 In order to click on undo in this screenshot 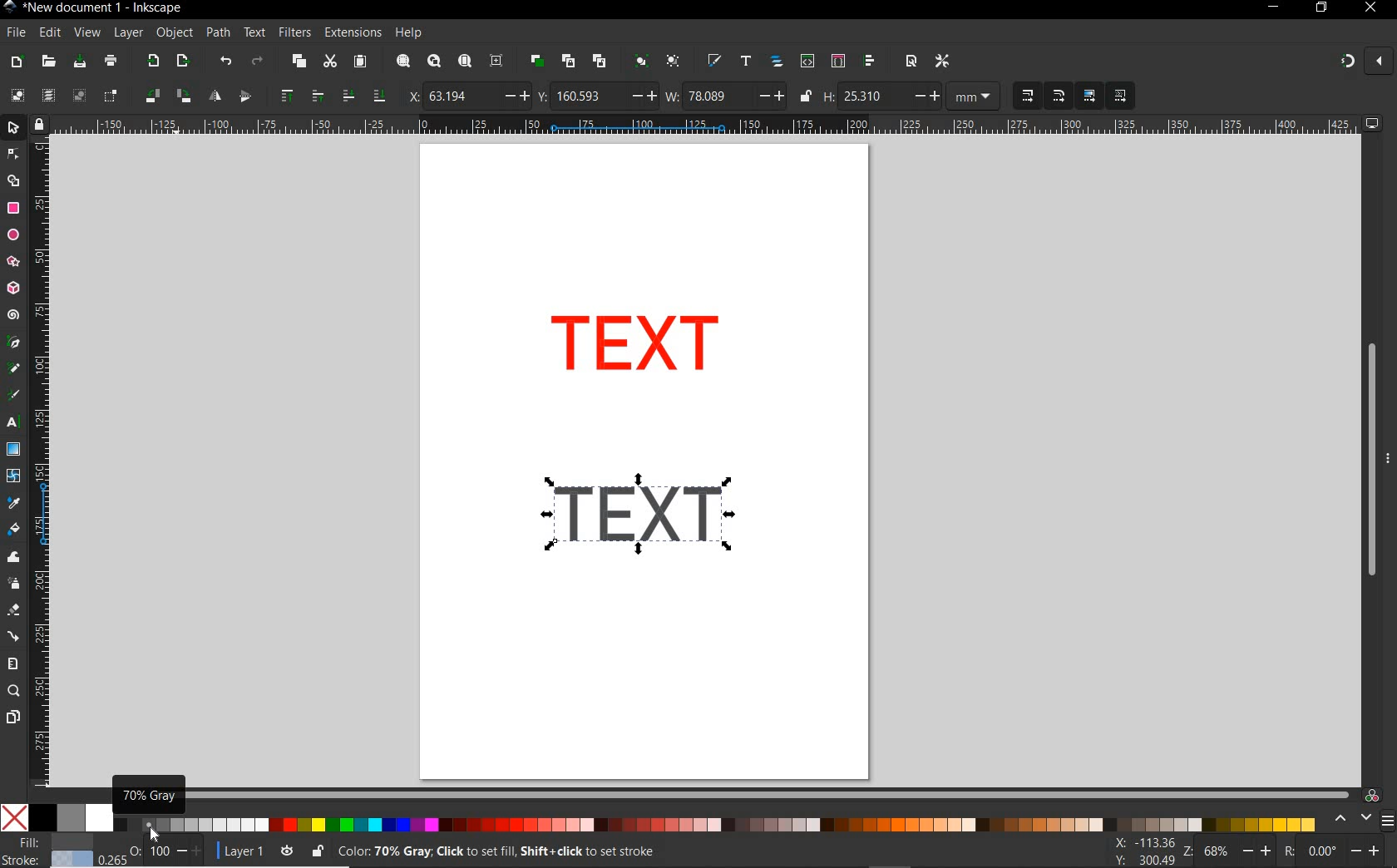, I will do `click(225, 62)`.